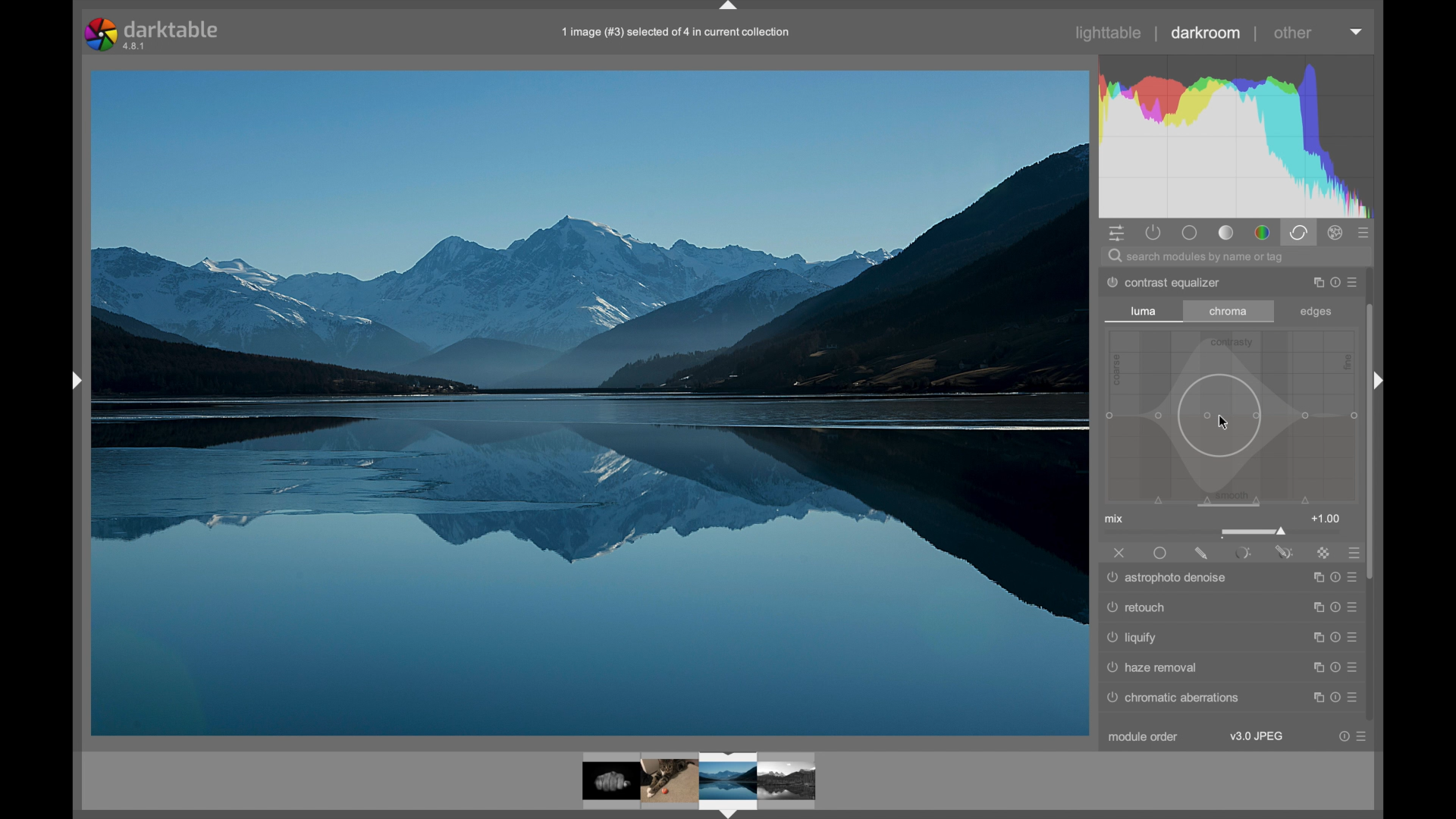 This screenshot has height=819, width=1456. What do you see at coordinates (1161, 553) in the screenshot?
I see `uniformly` at bounding box center [1161, 553].